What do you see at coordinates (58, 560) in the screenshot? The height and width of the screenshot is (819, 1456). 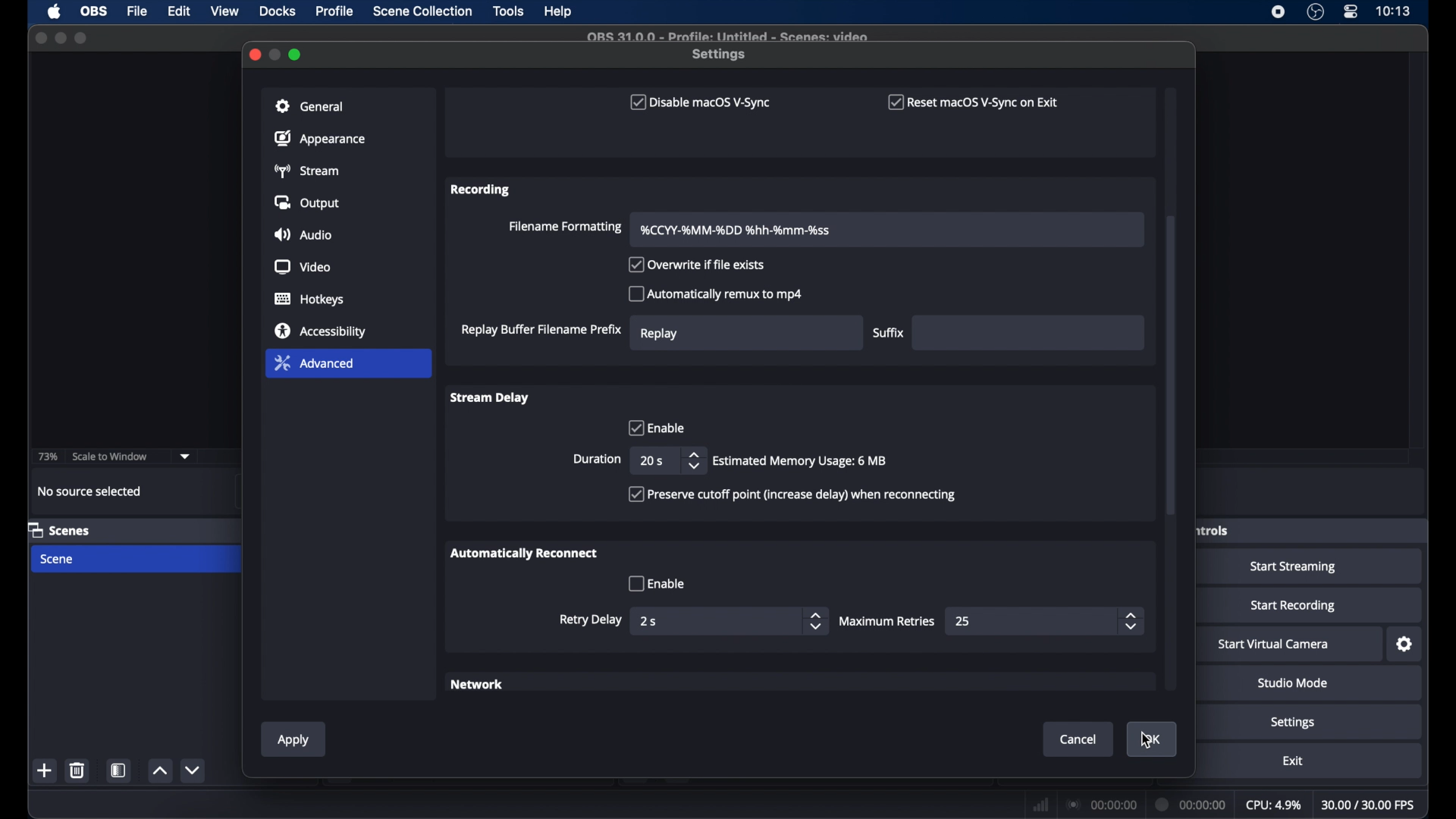 I see `scene` at bounding box center [58, 560].